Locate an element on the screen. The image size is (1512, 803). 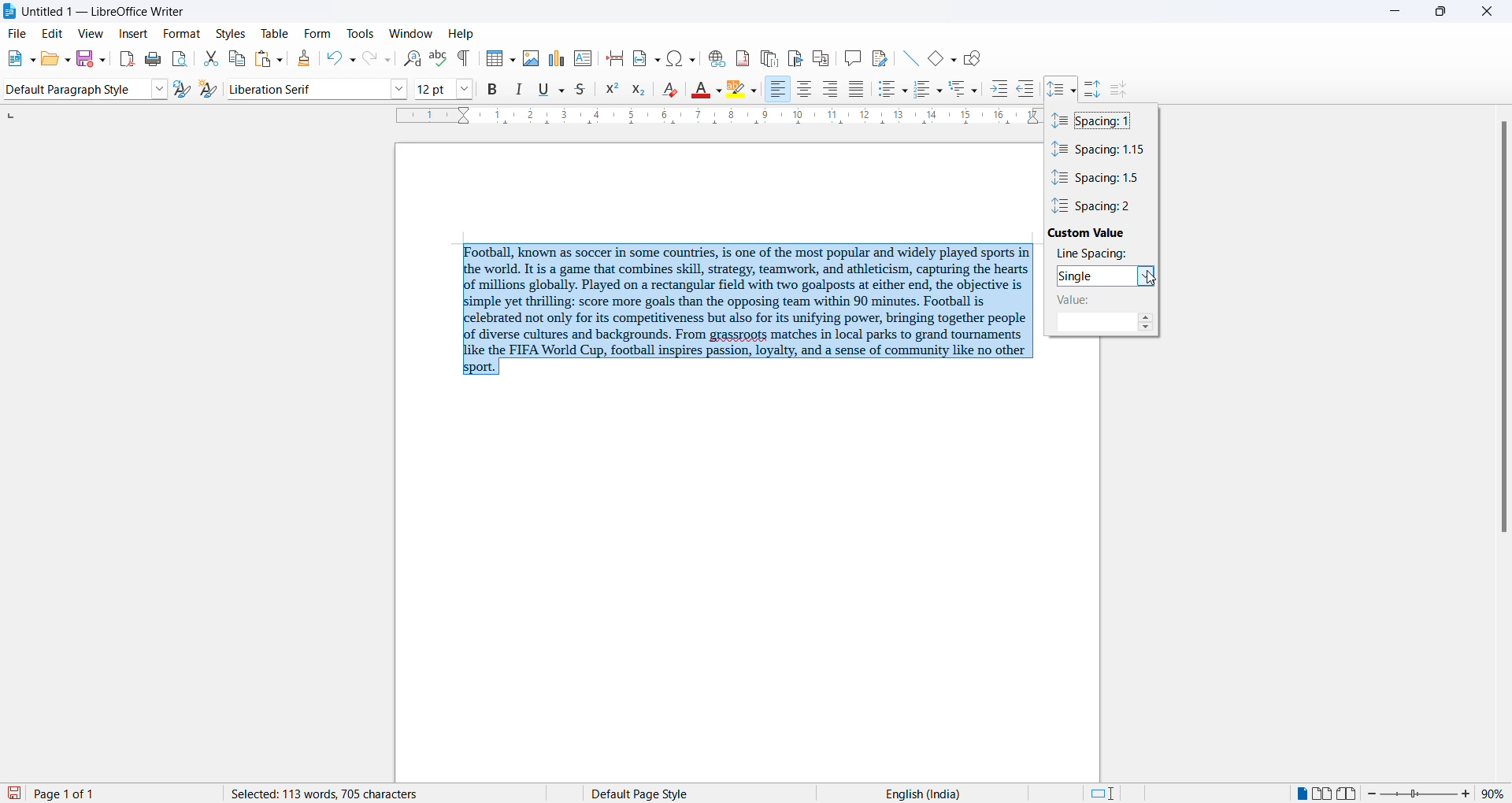
copy is located at coordinates (237, 59).